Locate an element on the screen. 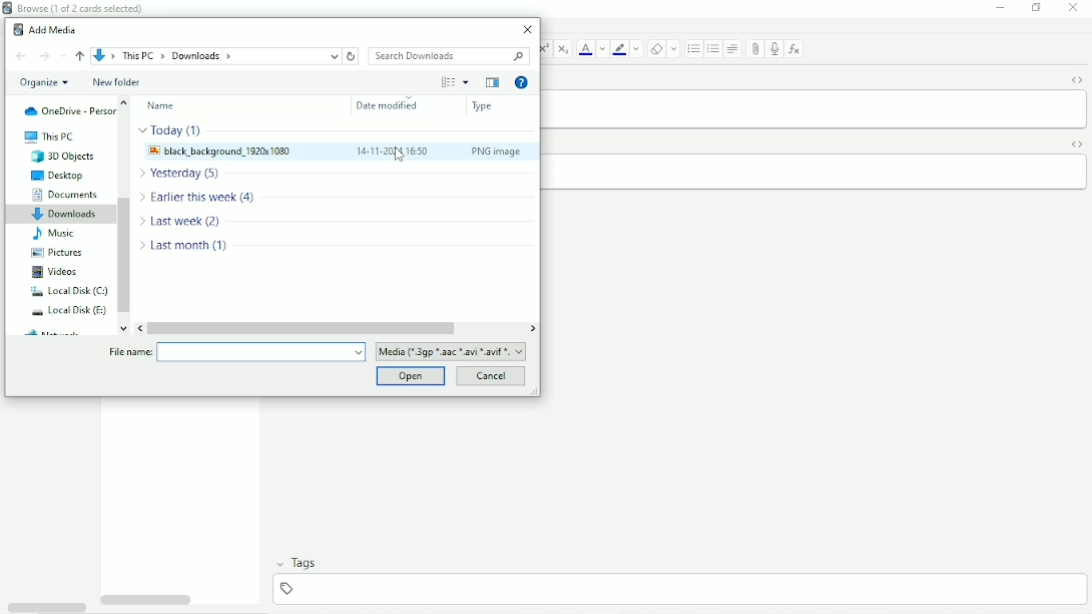  New folder is located at coordinates (116, 82).